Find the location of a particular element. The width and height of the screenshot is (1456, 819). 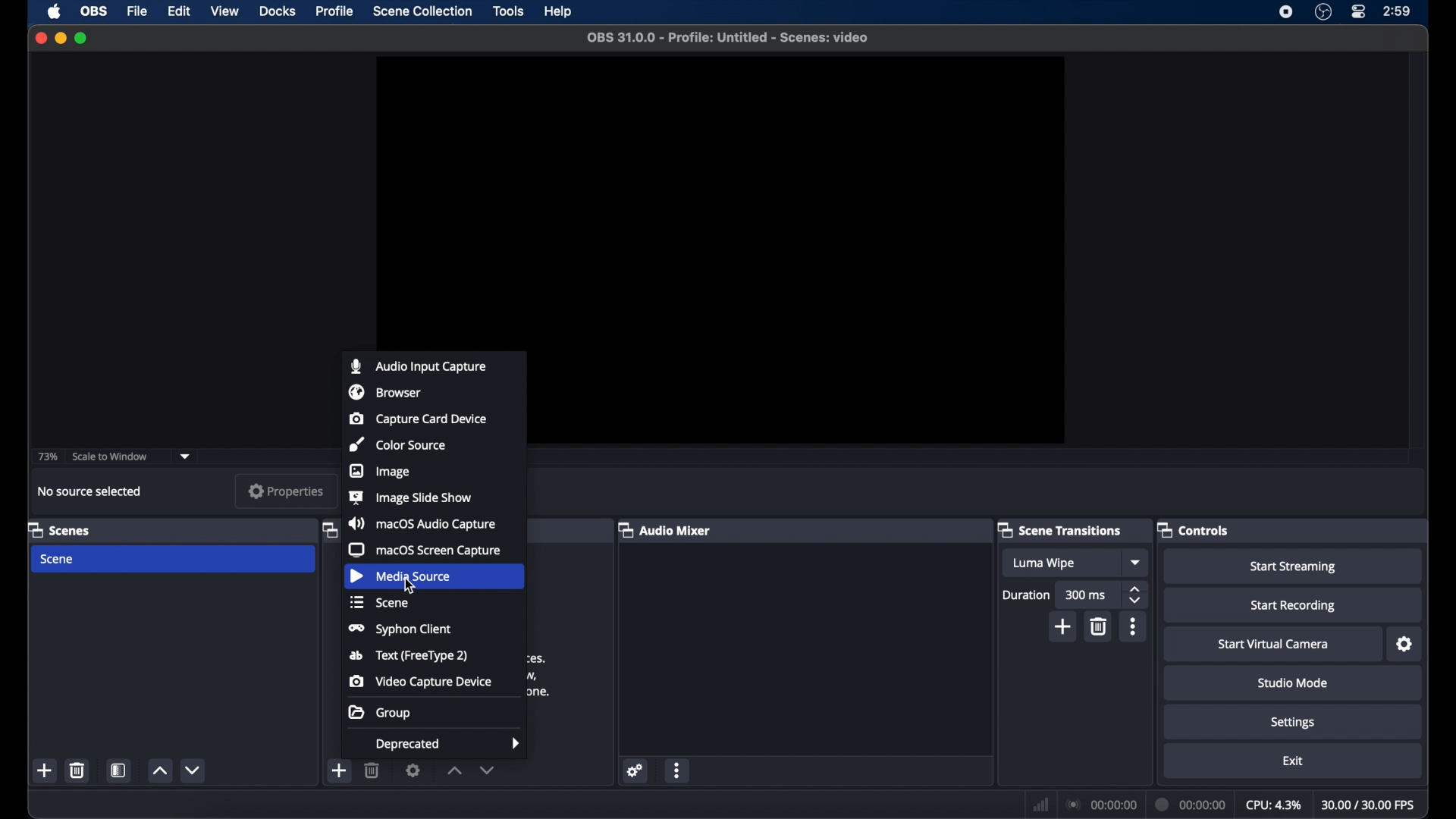

studio mode is located at coordinates (1291, 684).